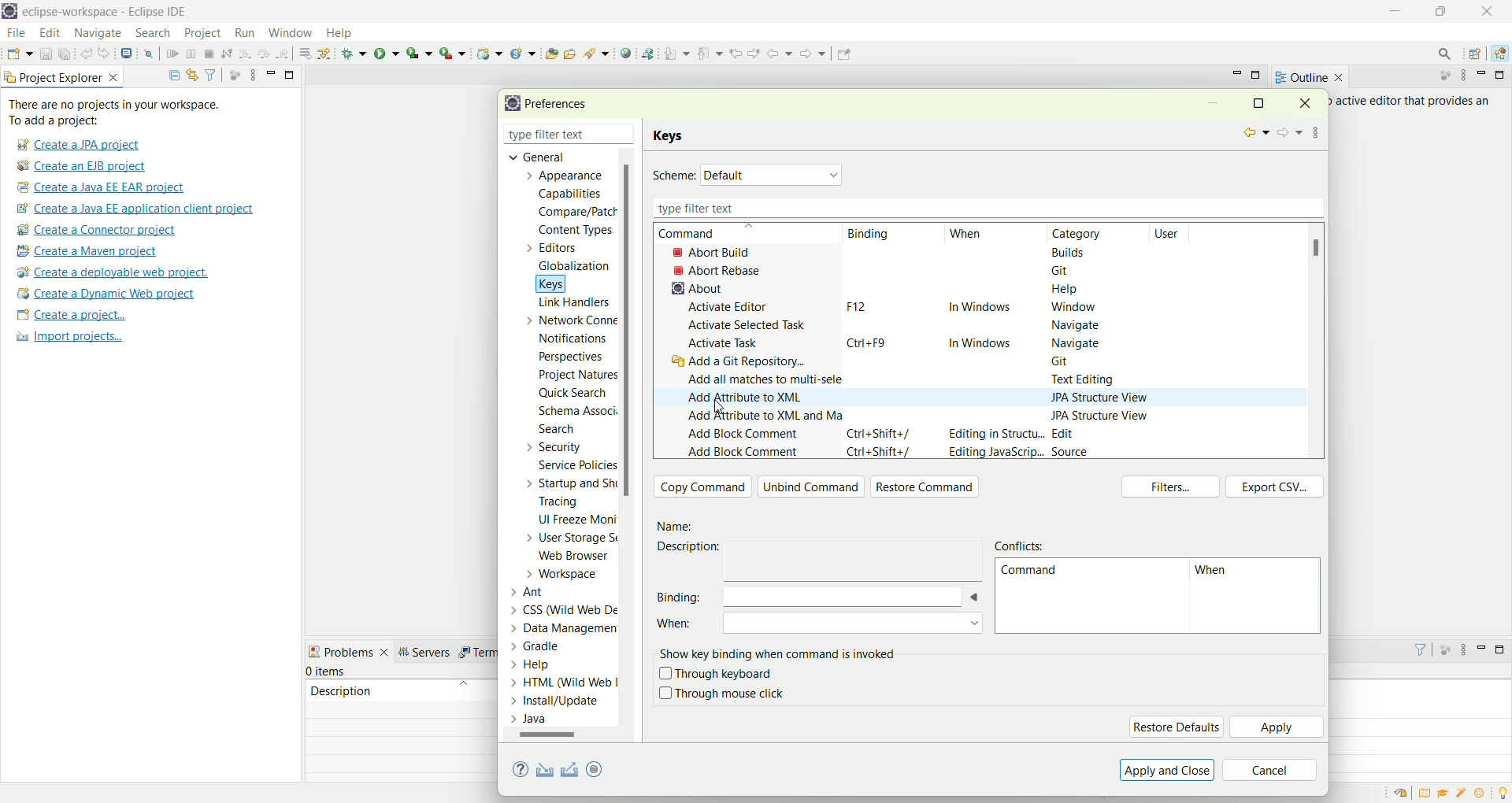 The width and height of the screenshot is (1512, 803). Describe the element at coordinates (566, 574) in the screenshot. I see `workspace` at that location.